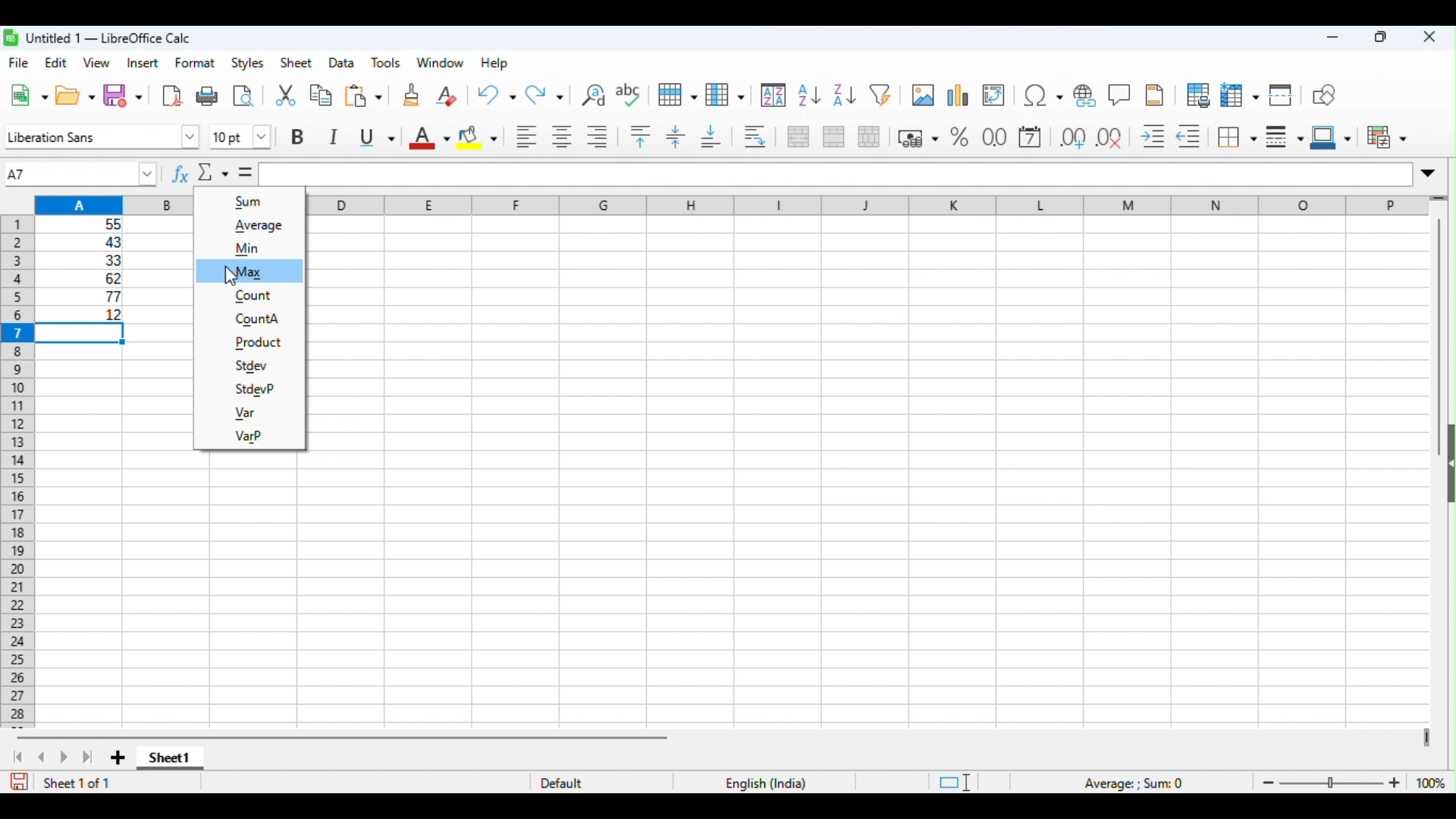 The height and width of the screenshot is (819, 1456). What do you see at coordinates (253, 390) in the screenshot?
I see `StdevP` at bounding box center [253, 390].